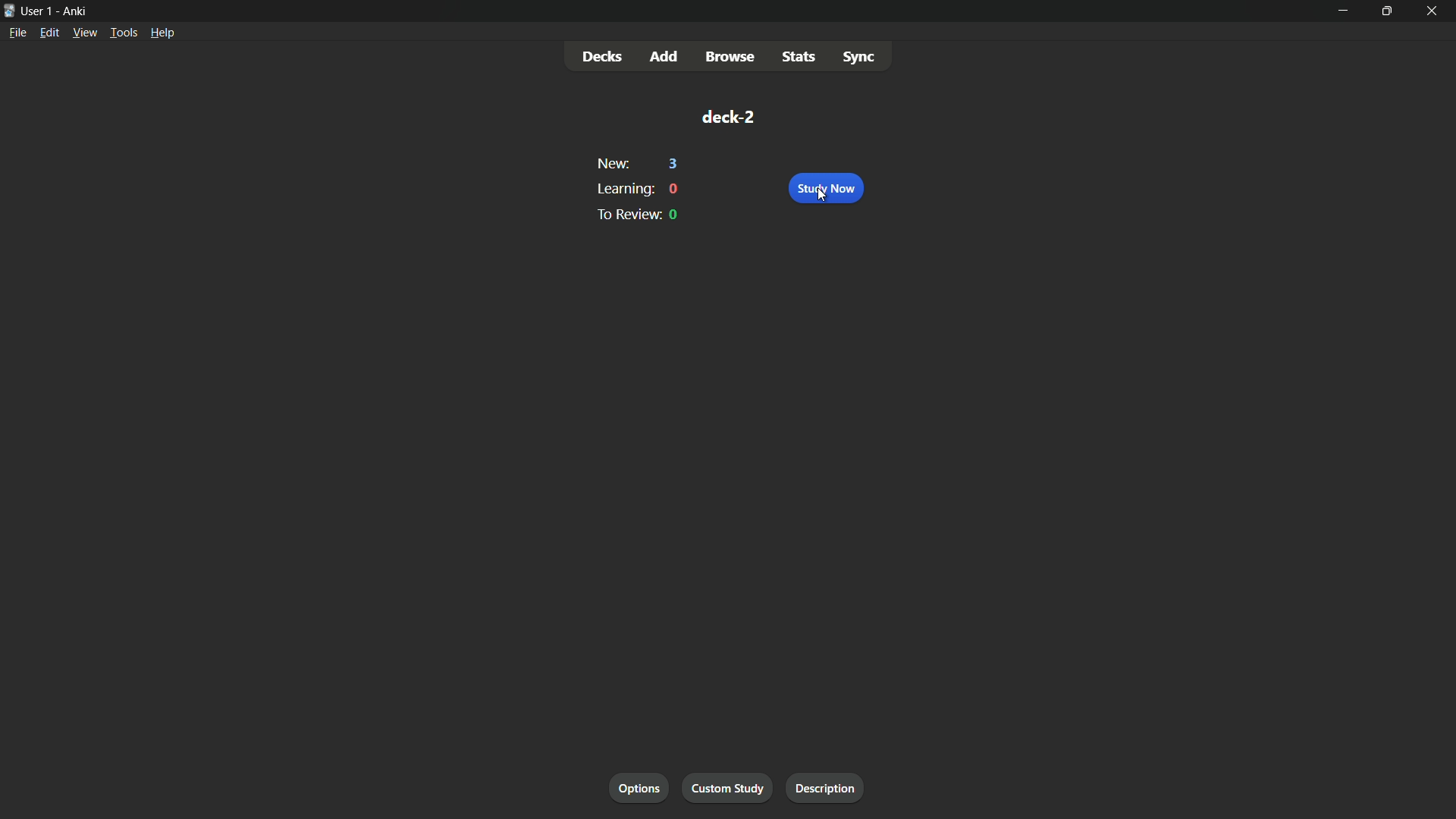 The image size is (1456, 819). Describe the element at coordinates (798, 56) in the screenshot. I see `stats` at that location.